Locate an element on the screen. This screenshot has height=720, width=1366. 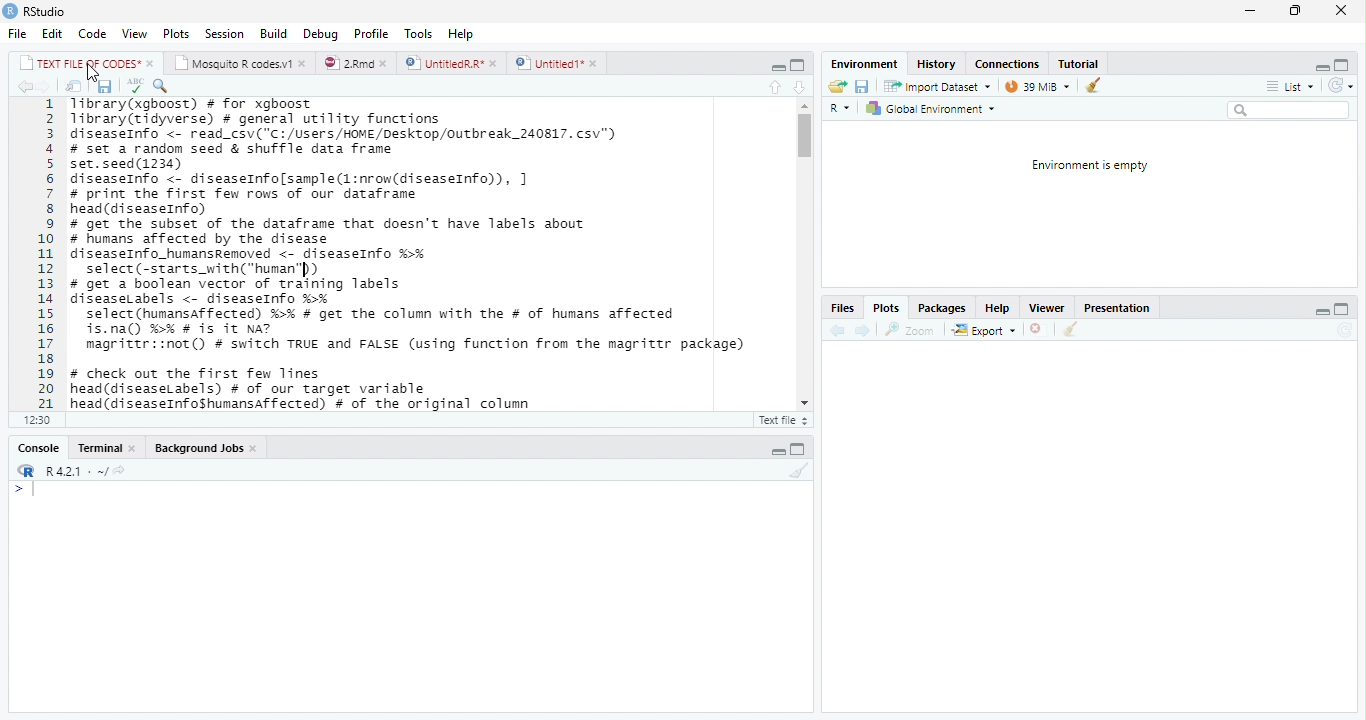
Tutorial is located at coordinates (1081, 63).